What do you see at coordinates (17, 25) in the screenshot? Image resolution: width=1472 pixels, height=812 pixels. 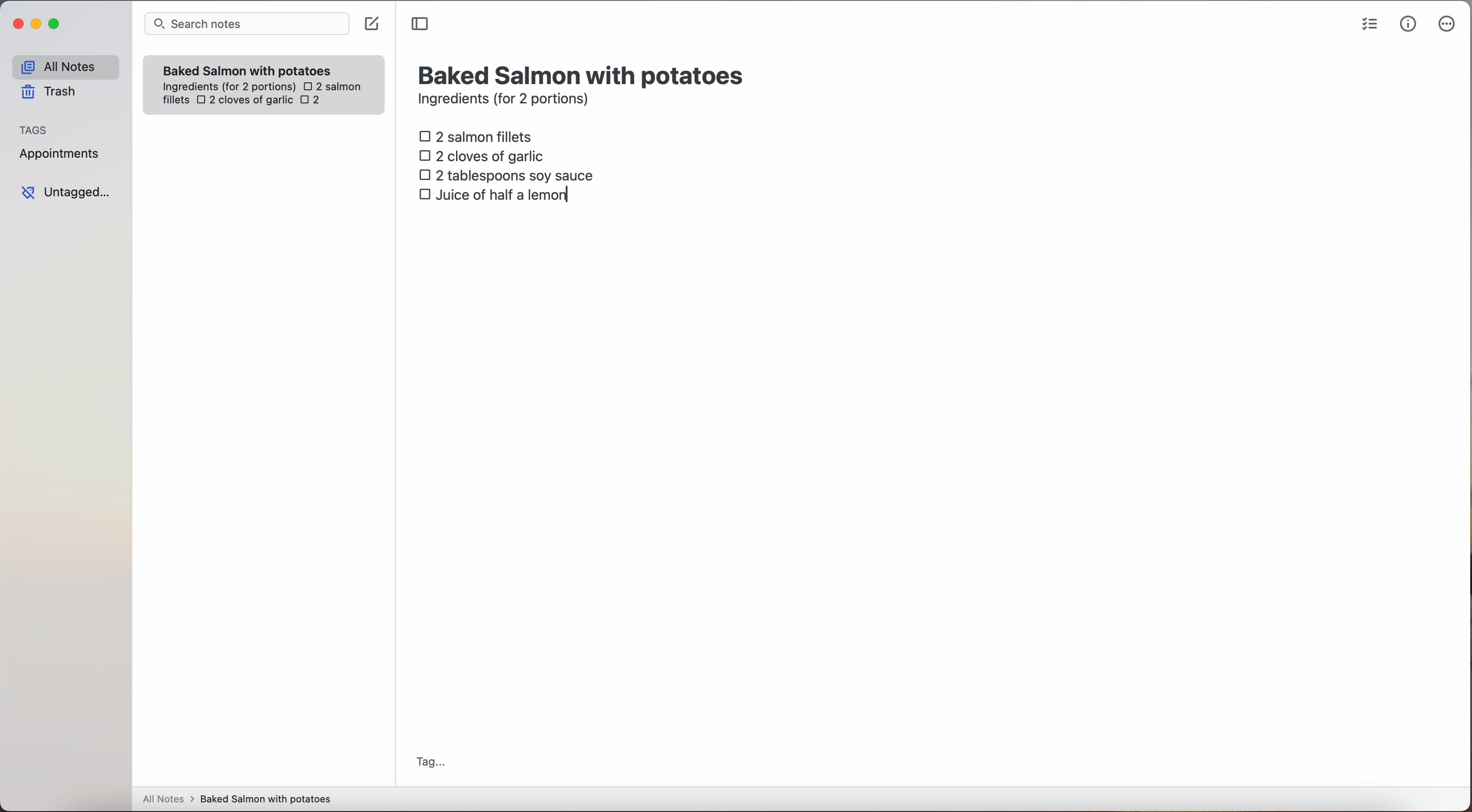 I see `close Simplenote` at bounding box center [17, 25].